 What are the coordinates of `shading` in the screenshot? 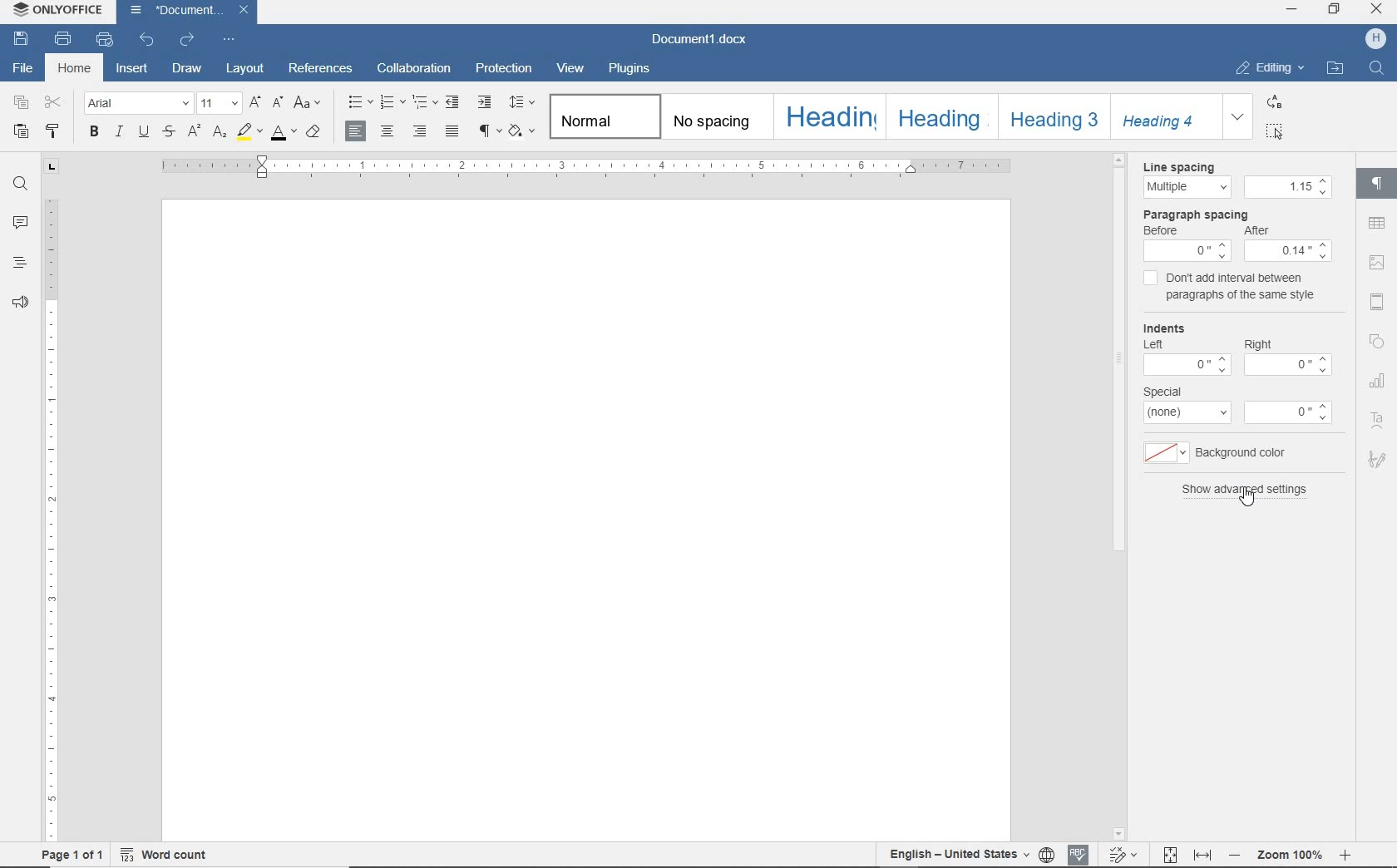 It's located at (526, 132).